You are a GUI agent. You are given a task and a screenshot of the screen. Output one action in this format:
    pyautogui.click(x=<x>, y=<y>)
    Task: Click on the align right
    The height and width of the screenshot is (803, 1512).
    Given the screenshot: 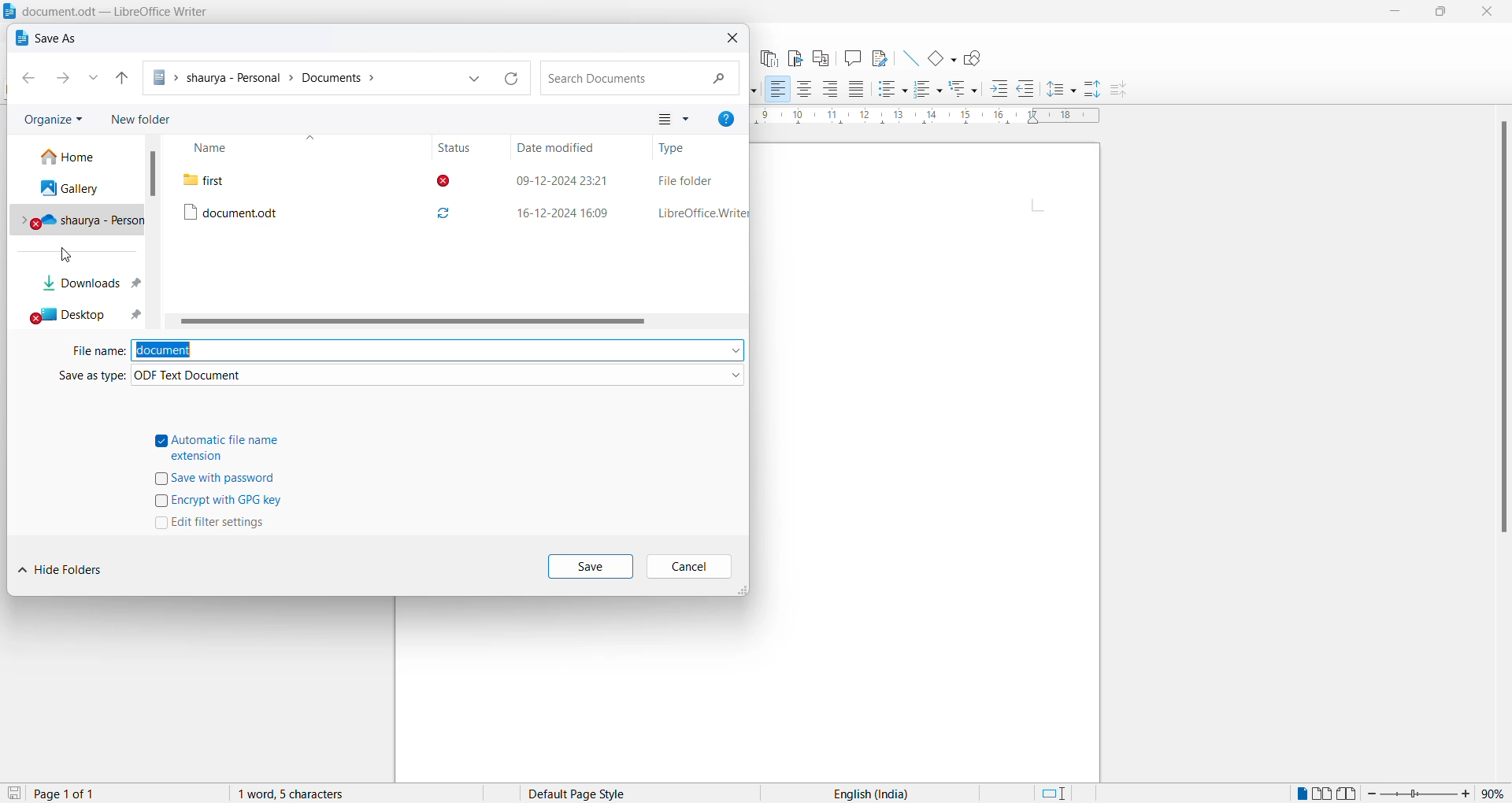 What is the action you would take?
    pyautogui.click(x=831, y=89)
    